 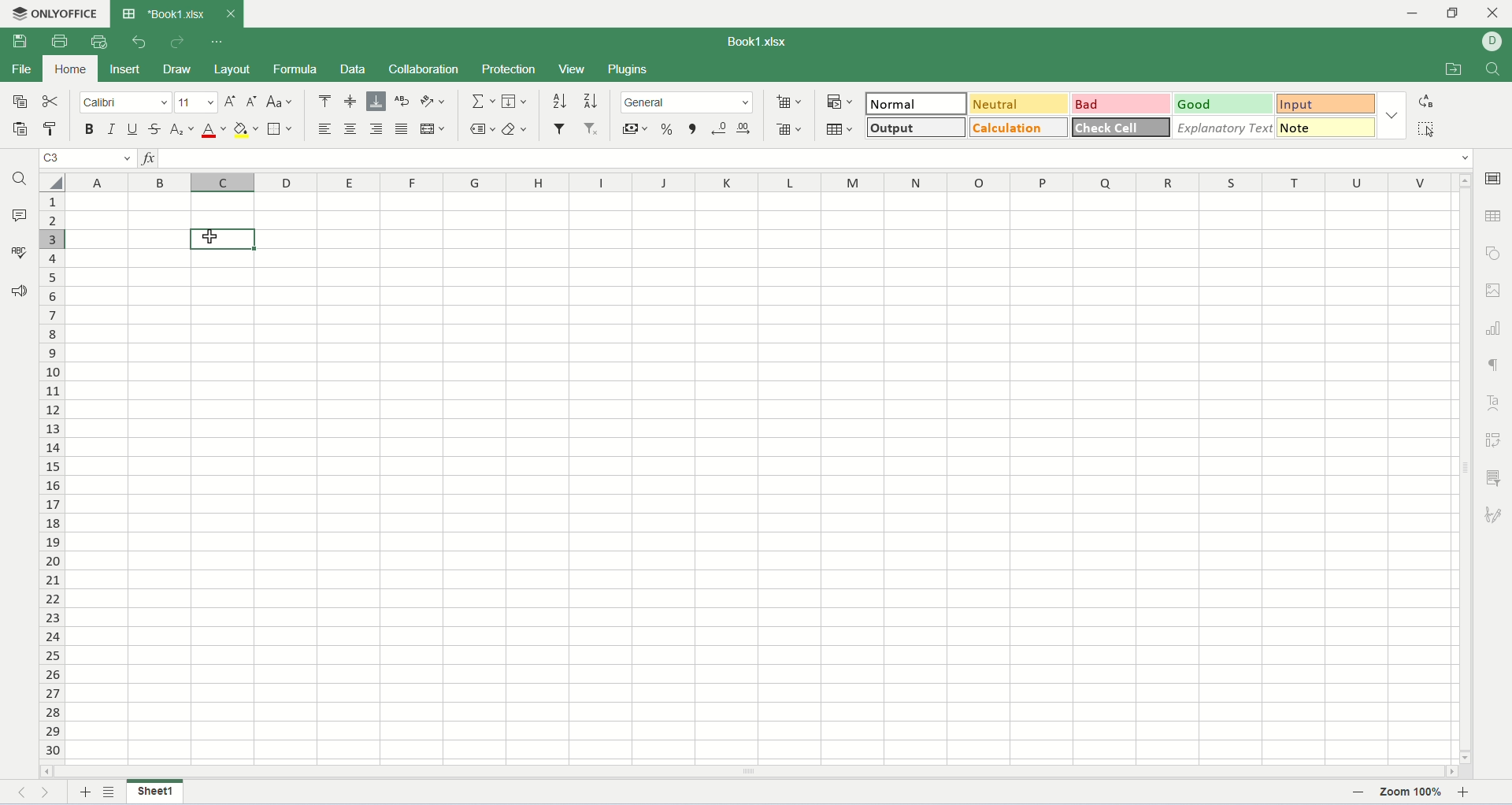 What do you see at coordinates (350, 128) in the screenshot?
I see `align center` at bounding box center [350, 128].